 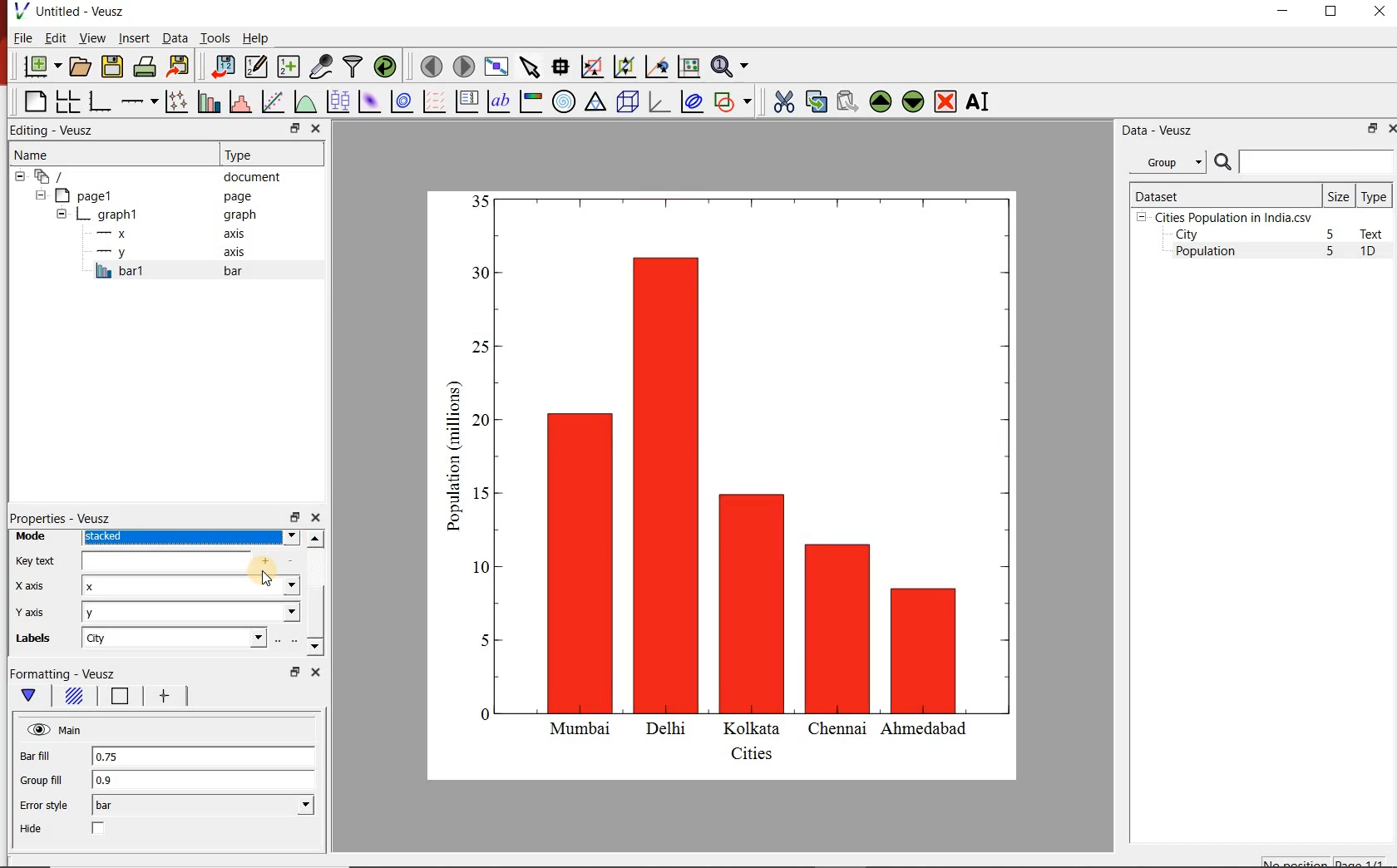 What do you see at coordinates (655, 67) in the screenshot?
I see `click to recenter graph axes` at bounding box center [655, 67].